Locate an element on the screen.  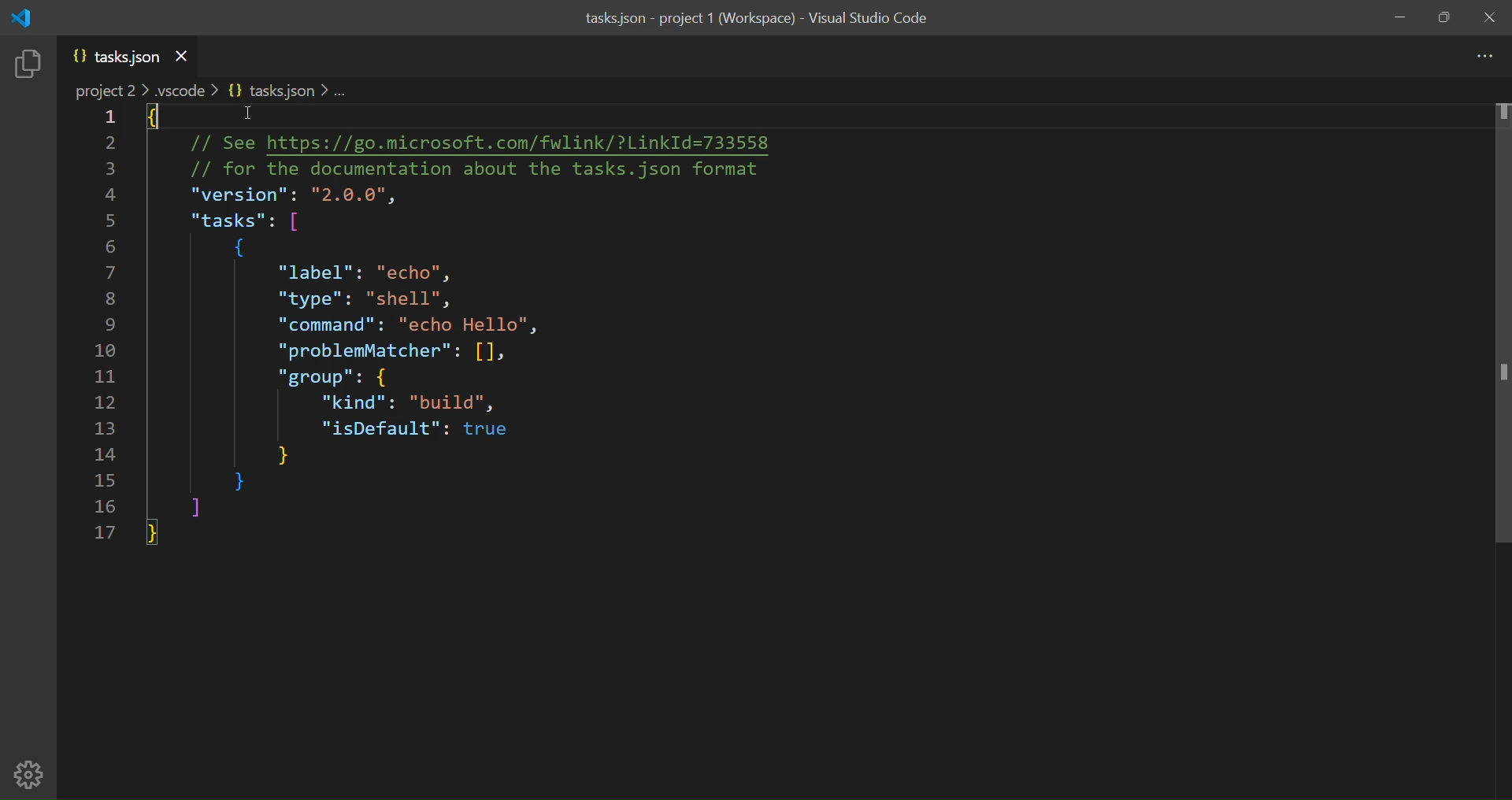
more actions is located at coordinates (1482, 55).